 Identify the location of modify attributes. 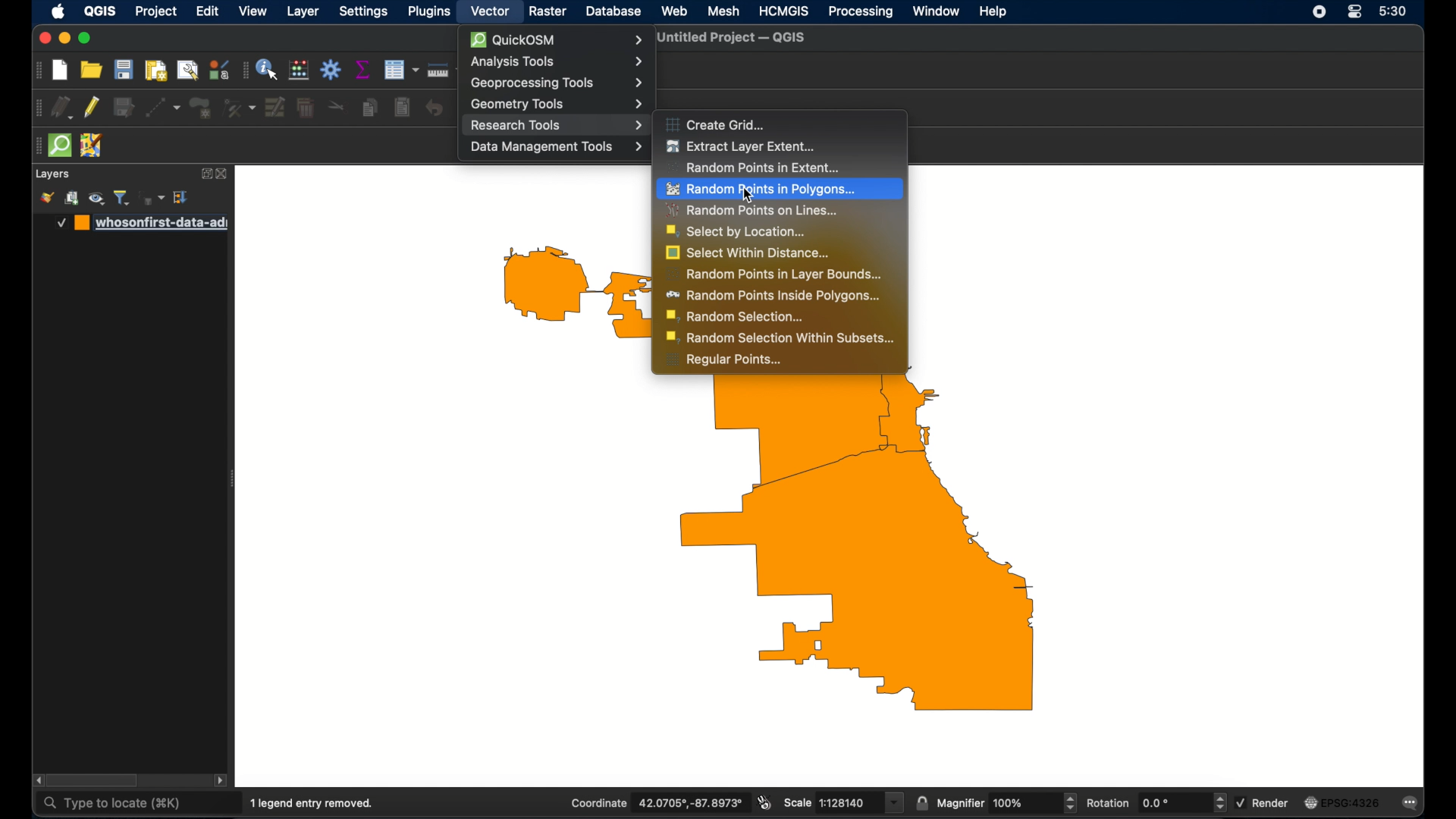
(275, 106).